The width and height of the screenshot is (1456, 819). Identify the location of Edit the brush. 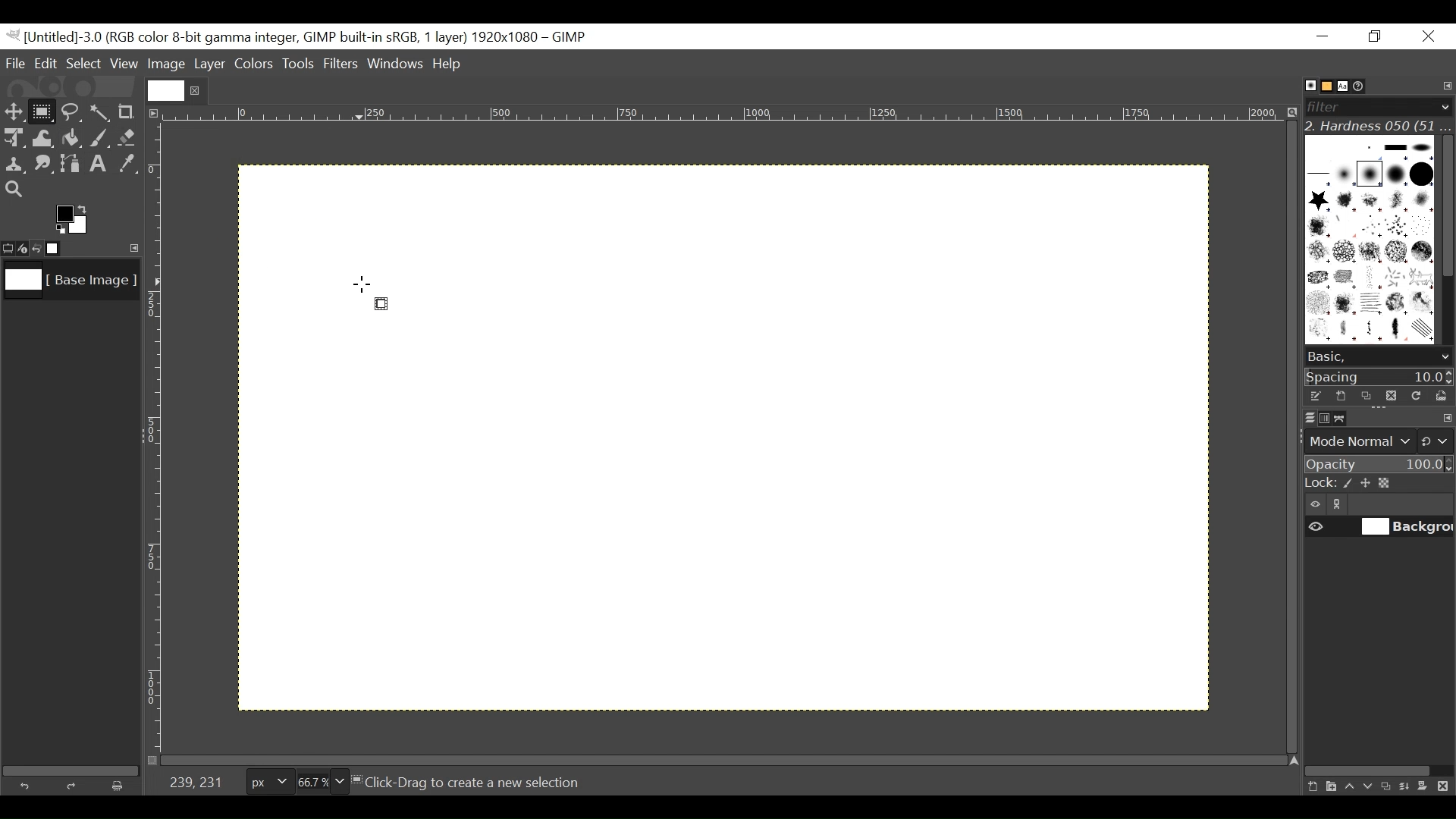
(1315, 396).